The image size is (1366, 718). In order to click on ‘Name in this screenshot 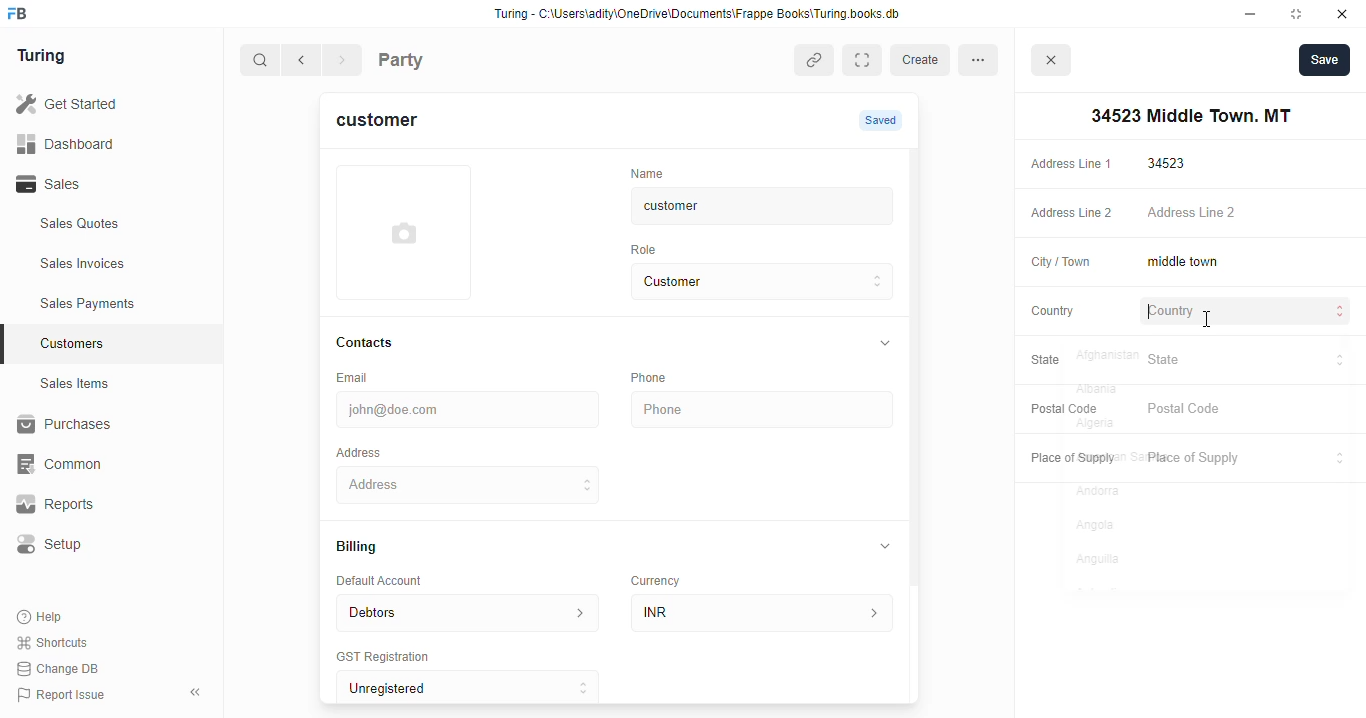, I will do `click(652, 172)`.